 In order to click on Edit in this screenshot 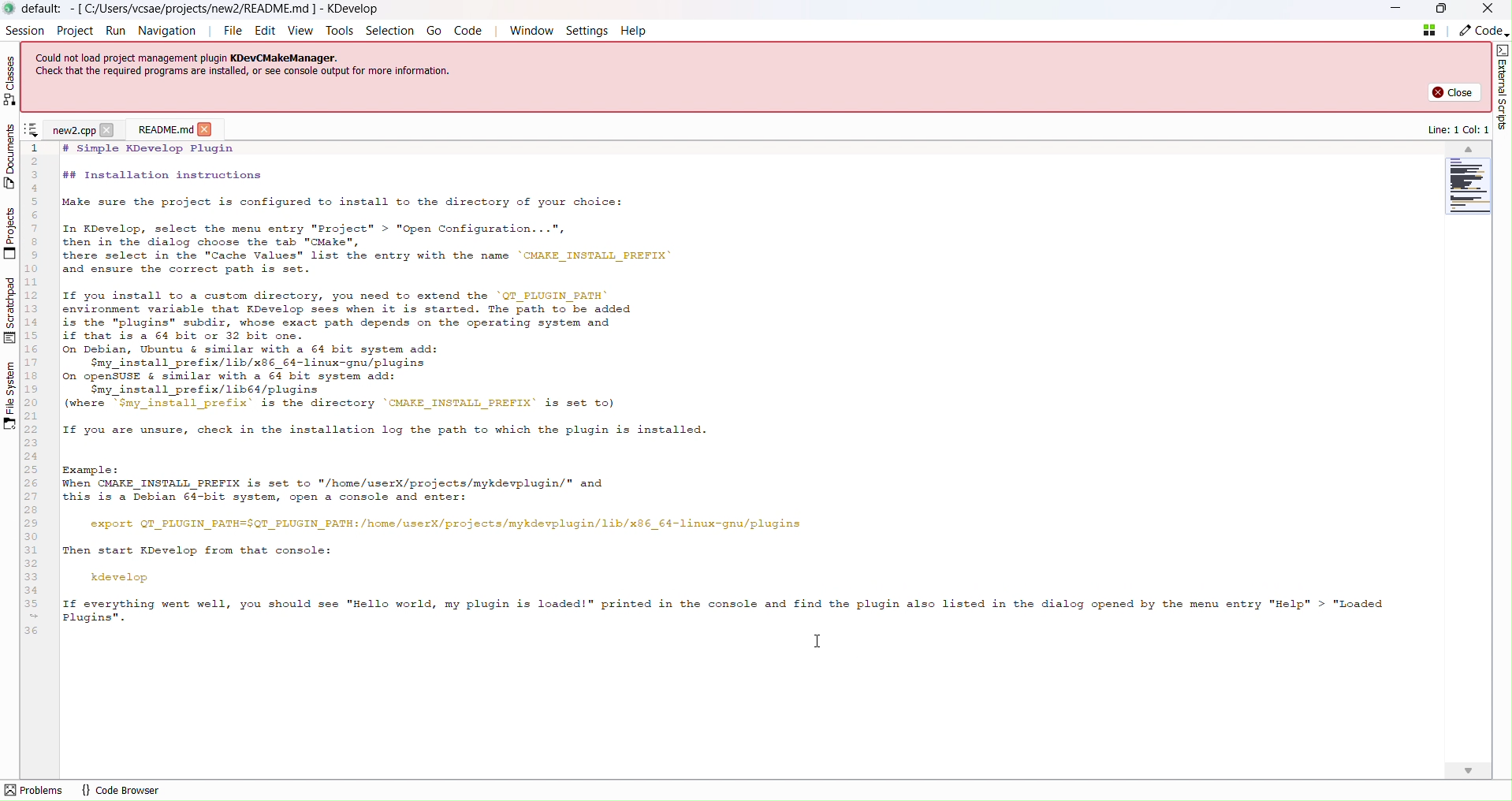, I will do `click(267, 32)`.